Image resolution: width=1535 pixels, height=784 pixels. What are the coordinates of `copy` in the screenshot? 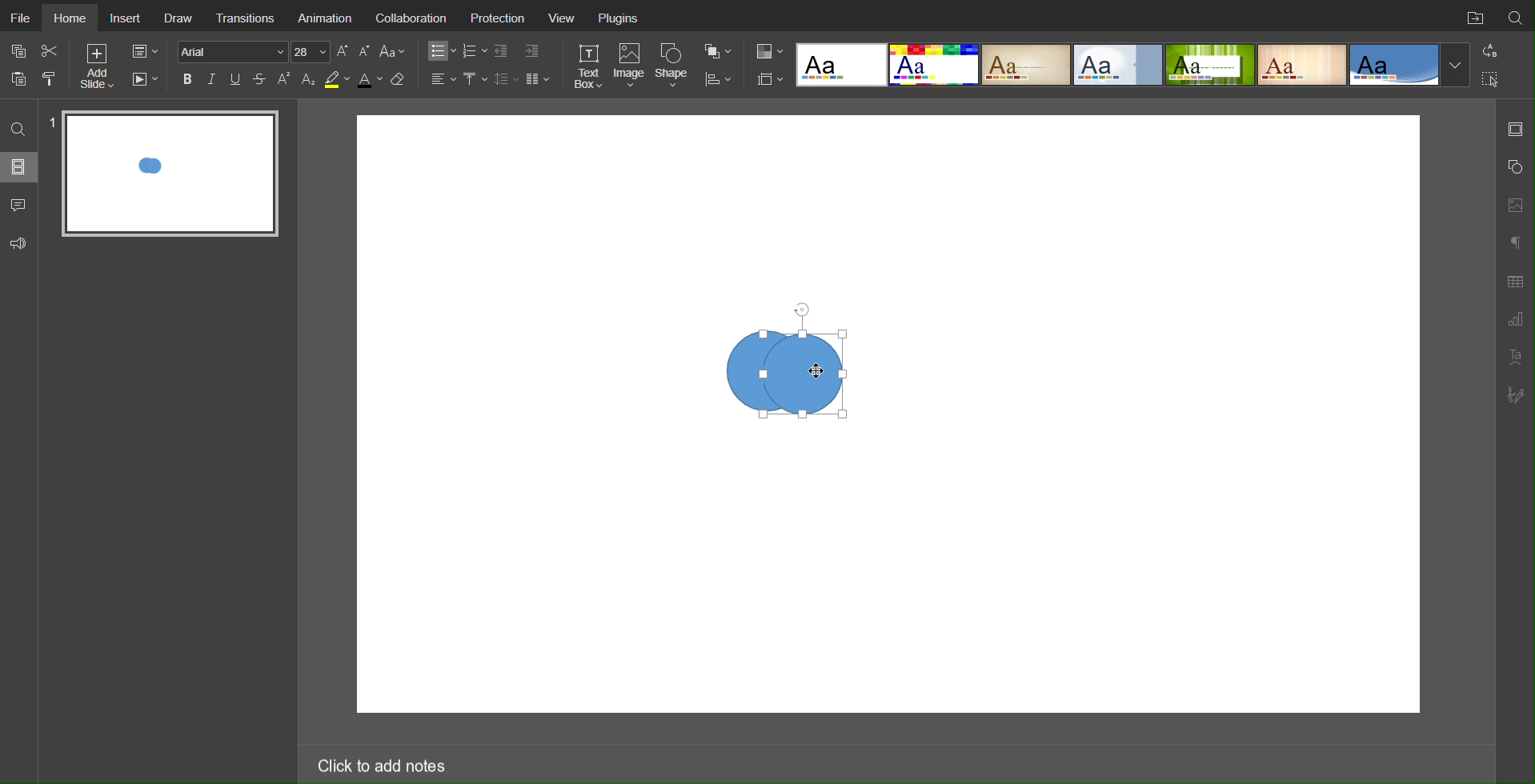 It's located at (22, 53).